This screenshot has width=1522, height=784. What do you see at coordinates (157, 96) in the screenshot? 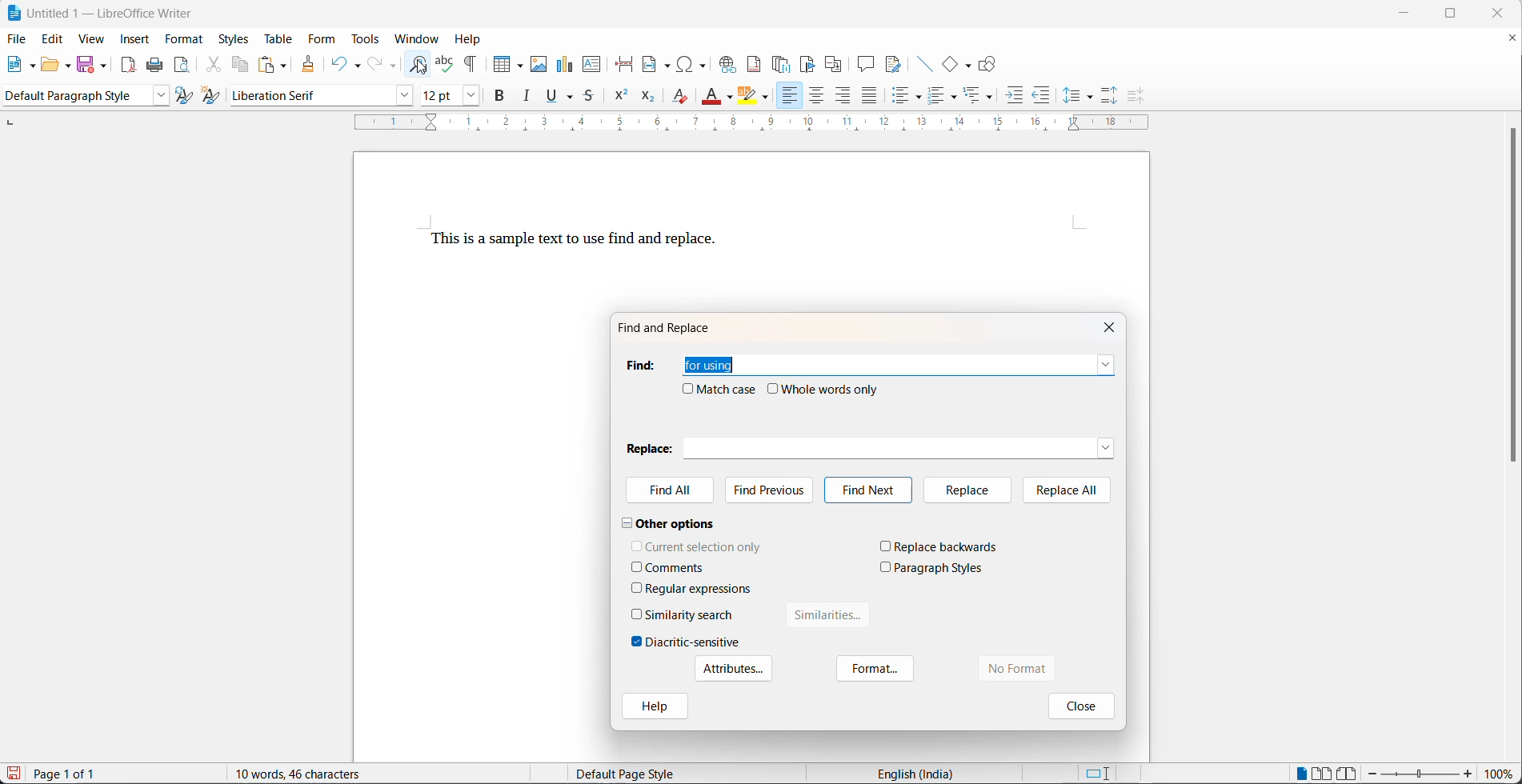
I see `style options` at bounding box center [157, 96].